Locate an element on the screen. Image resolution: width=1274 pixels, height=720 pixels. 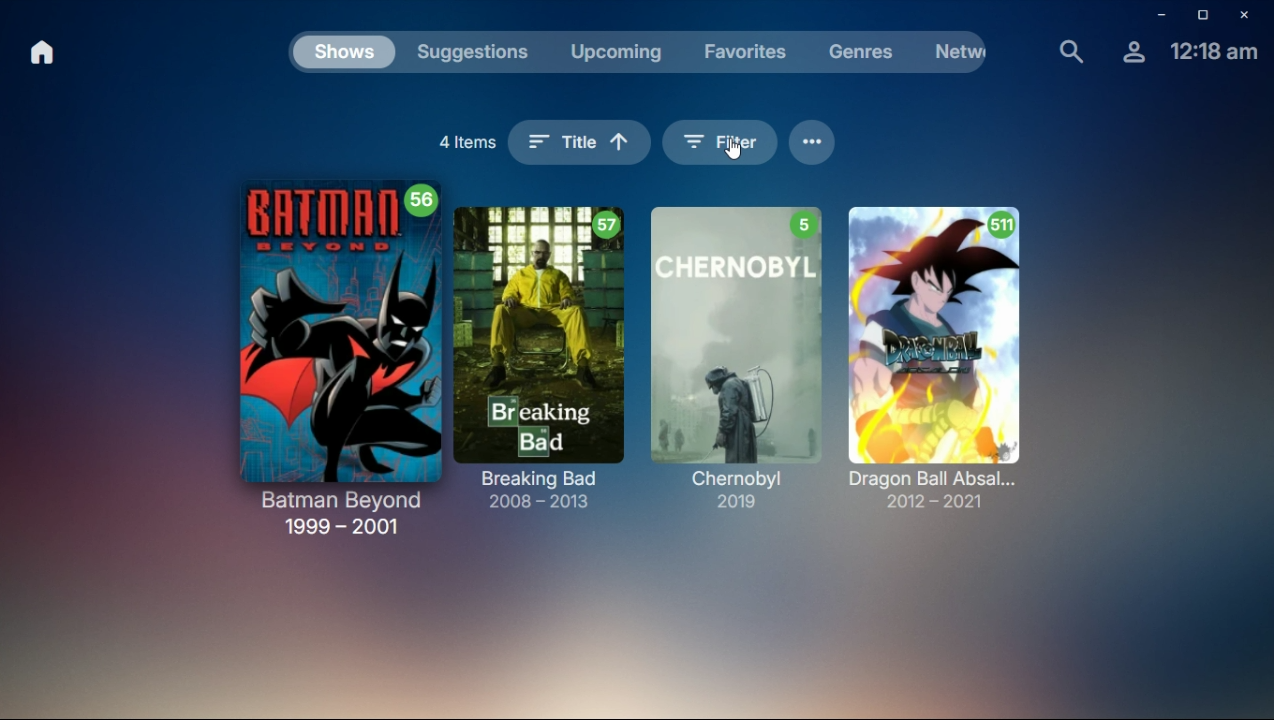
home is located at coordinates (43, 53).